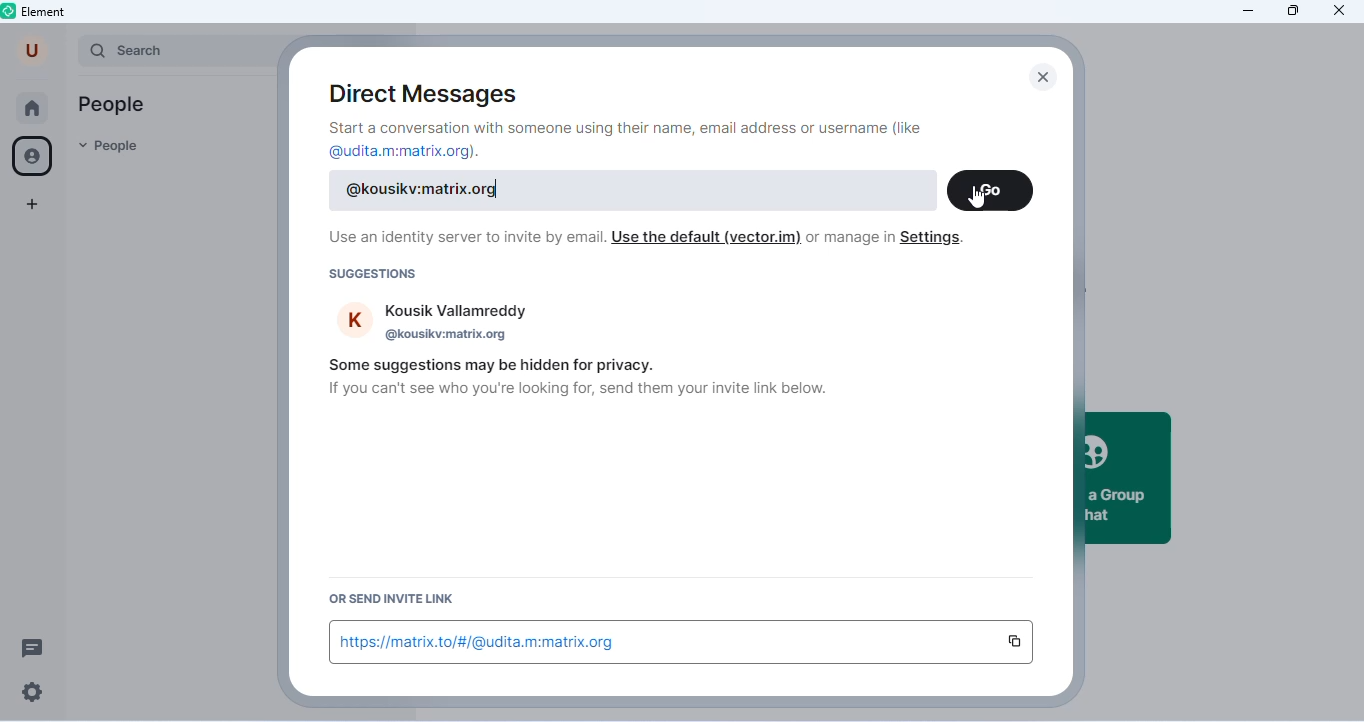 The height and width of the screenshot is (722, 1364). I want to click on account of Kousik Vallamreddy, so click(432, 321).